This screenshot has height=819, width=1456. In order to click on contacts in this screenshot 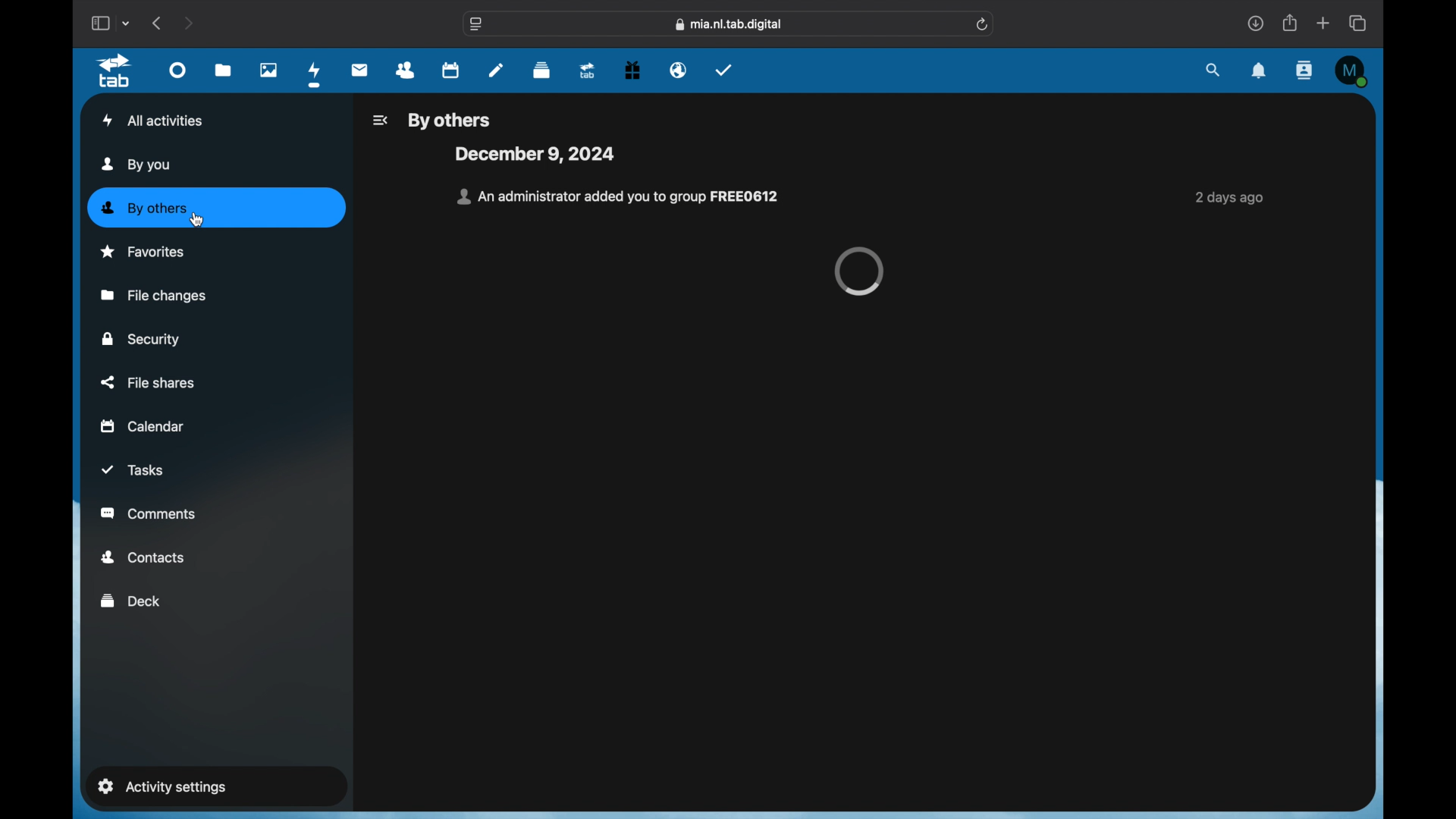, I will do `click(406, 71)`.